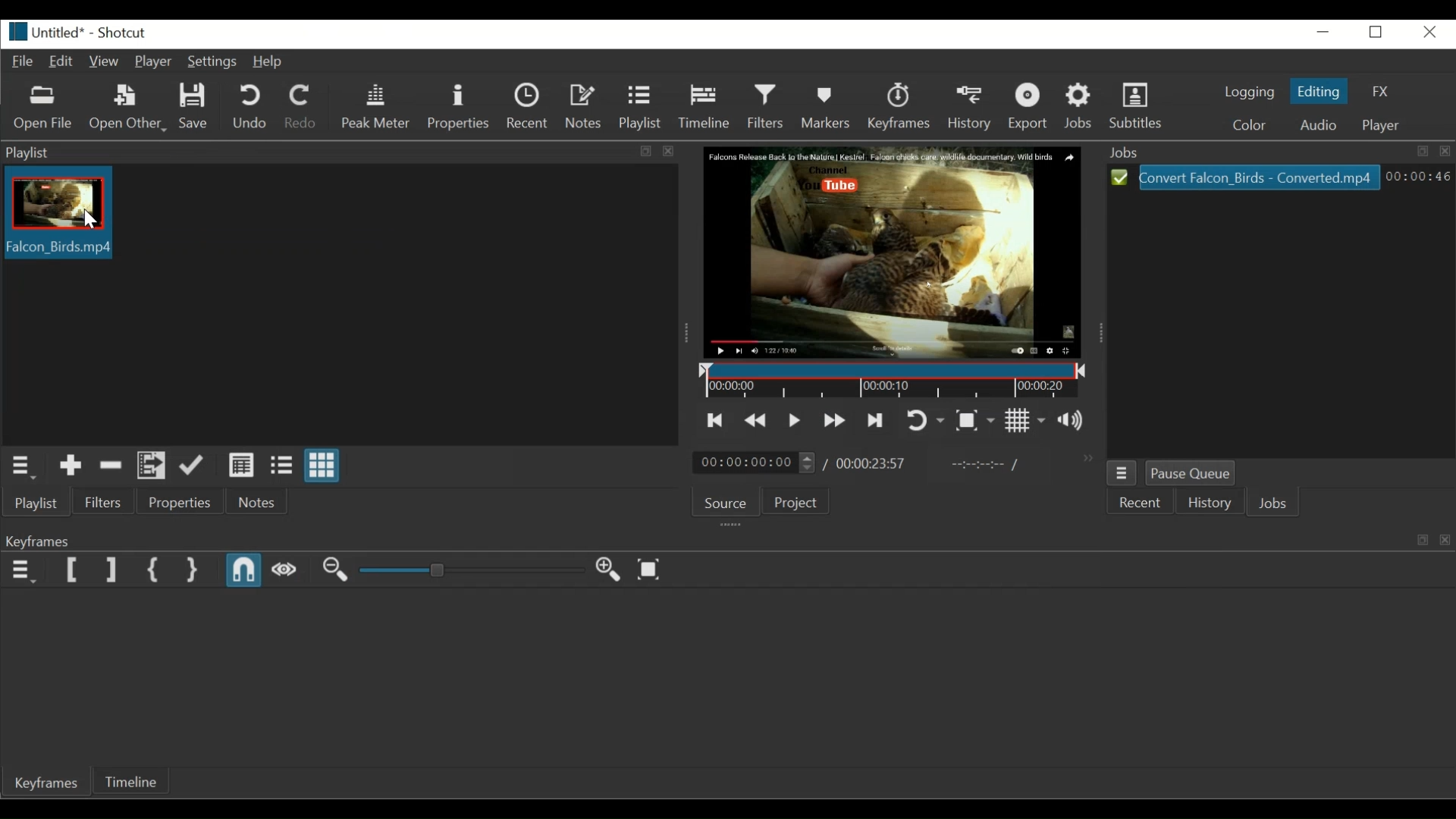  Describe the element at coordinates (1276, 504) in the screenshot. I see `Jobs` at that location.